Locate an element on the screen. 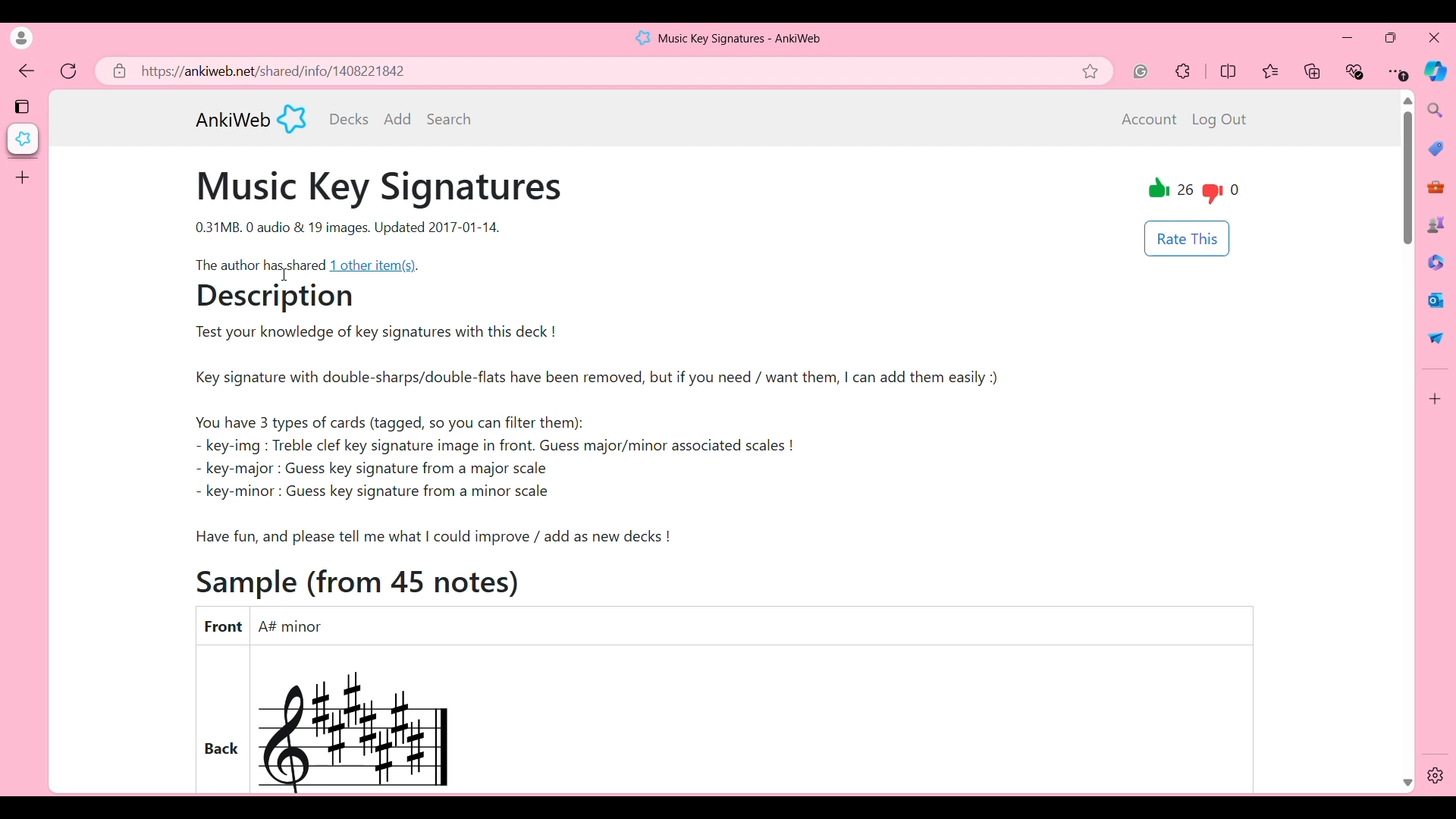  Add is located at coordinates (398, 118).